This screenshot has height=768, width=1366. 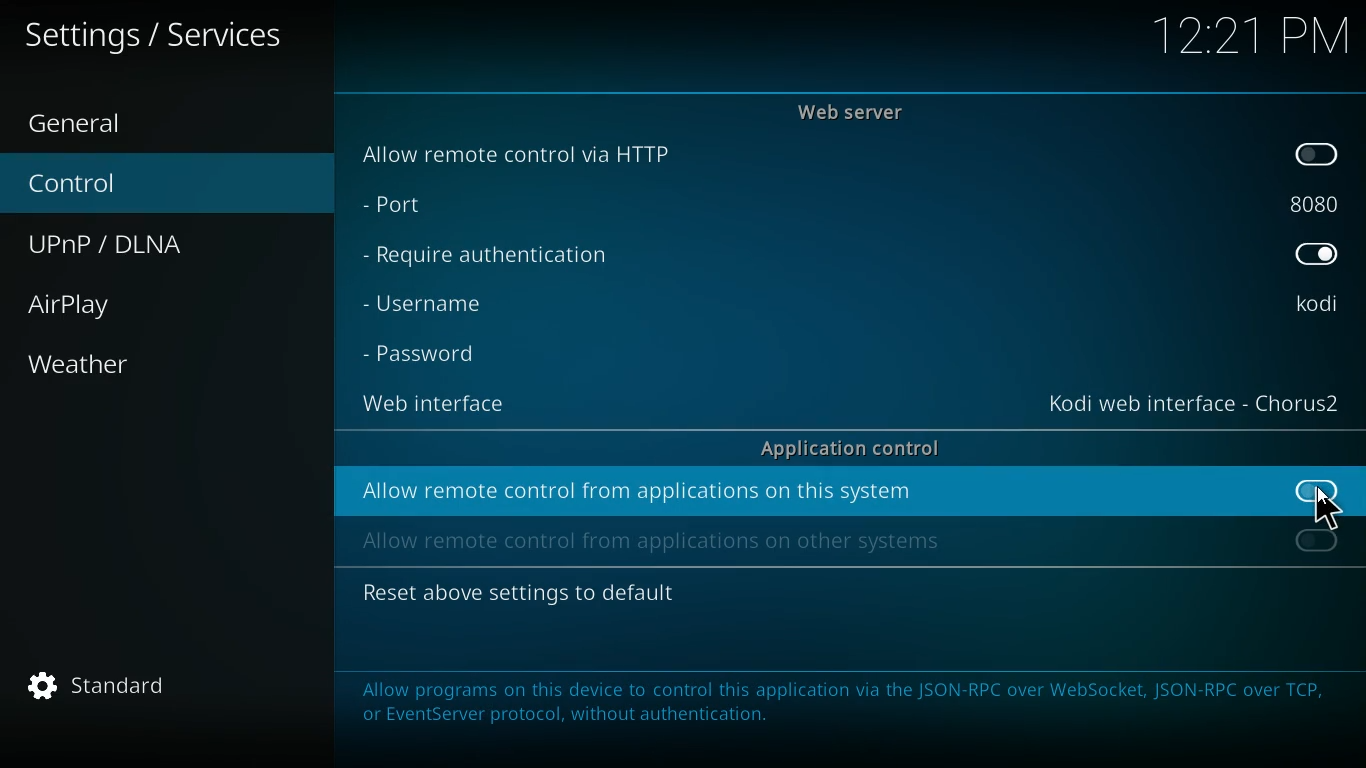 I want to click on reset, so click(x=517, y=595).